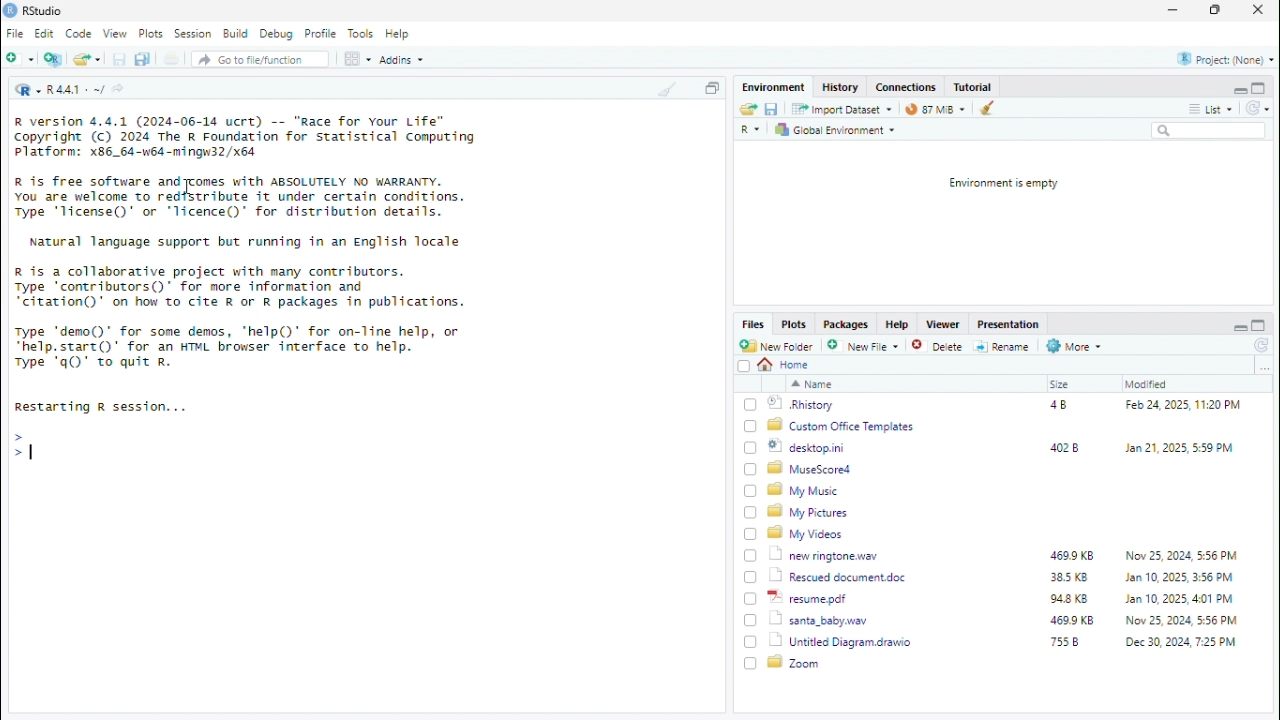 The width and height of the screenshot is (1280, 720). I want to click on resme.pdf 94.8KB Jan 10, 2025, 401 PM, so click(1007, 598).